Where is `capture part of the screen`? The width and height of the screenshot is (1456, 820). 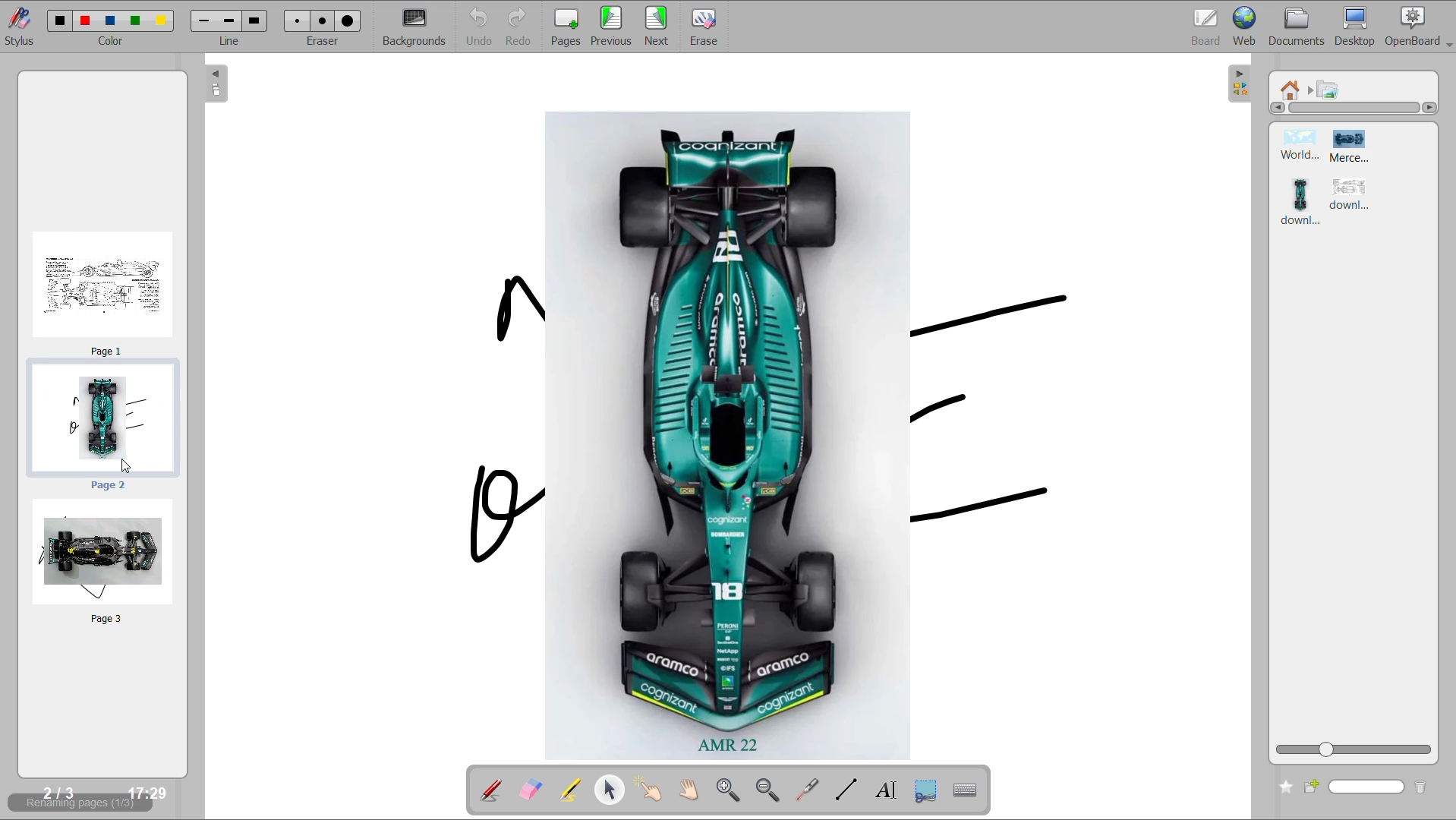
capture part of the screen is located at coordinates (928, 790).